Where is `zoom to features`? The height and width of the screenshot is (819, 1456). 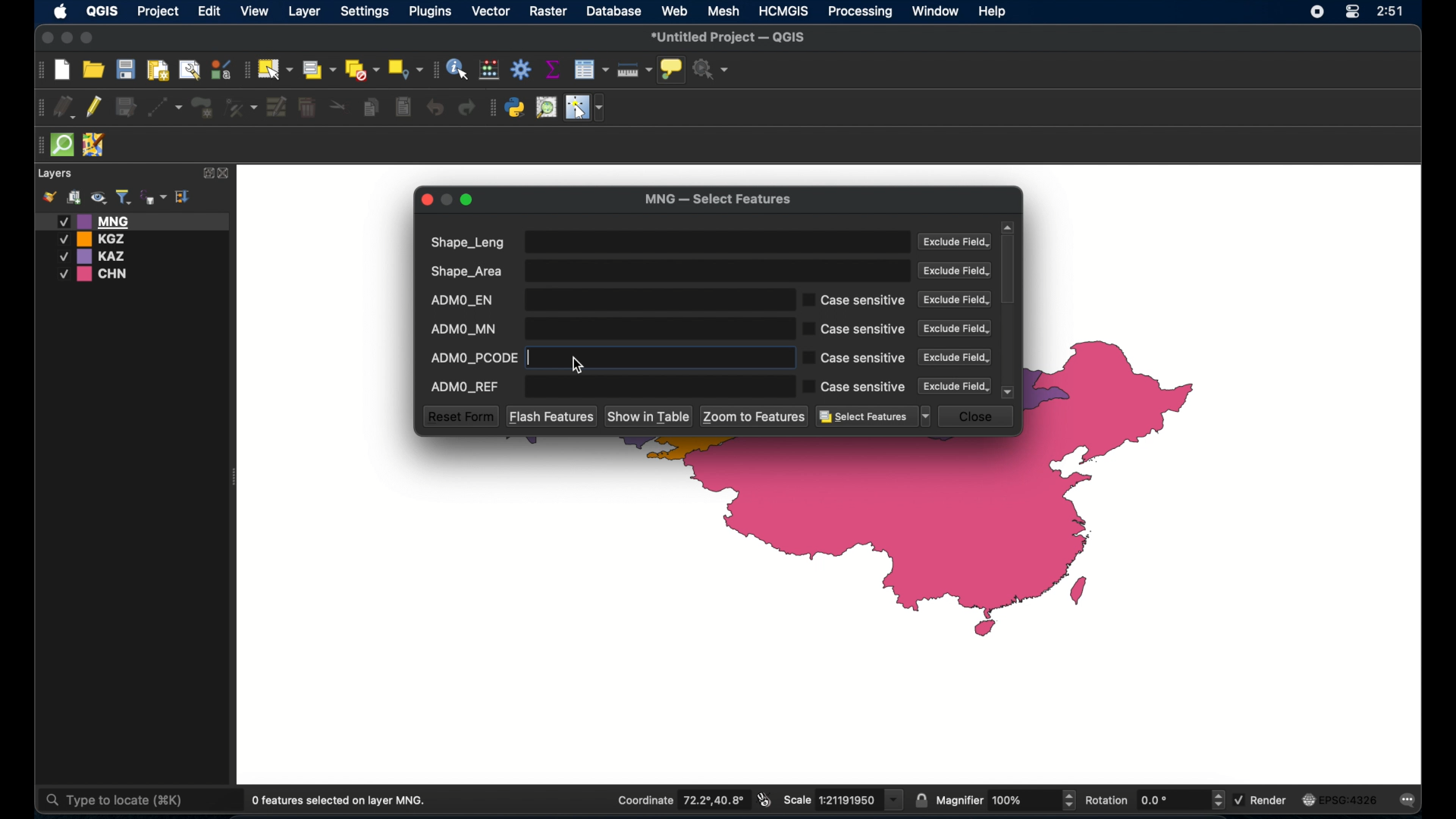
zoom to features is located at coordinates (755, 416).